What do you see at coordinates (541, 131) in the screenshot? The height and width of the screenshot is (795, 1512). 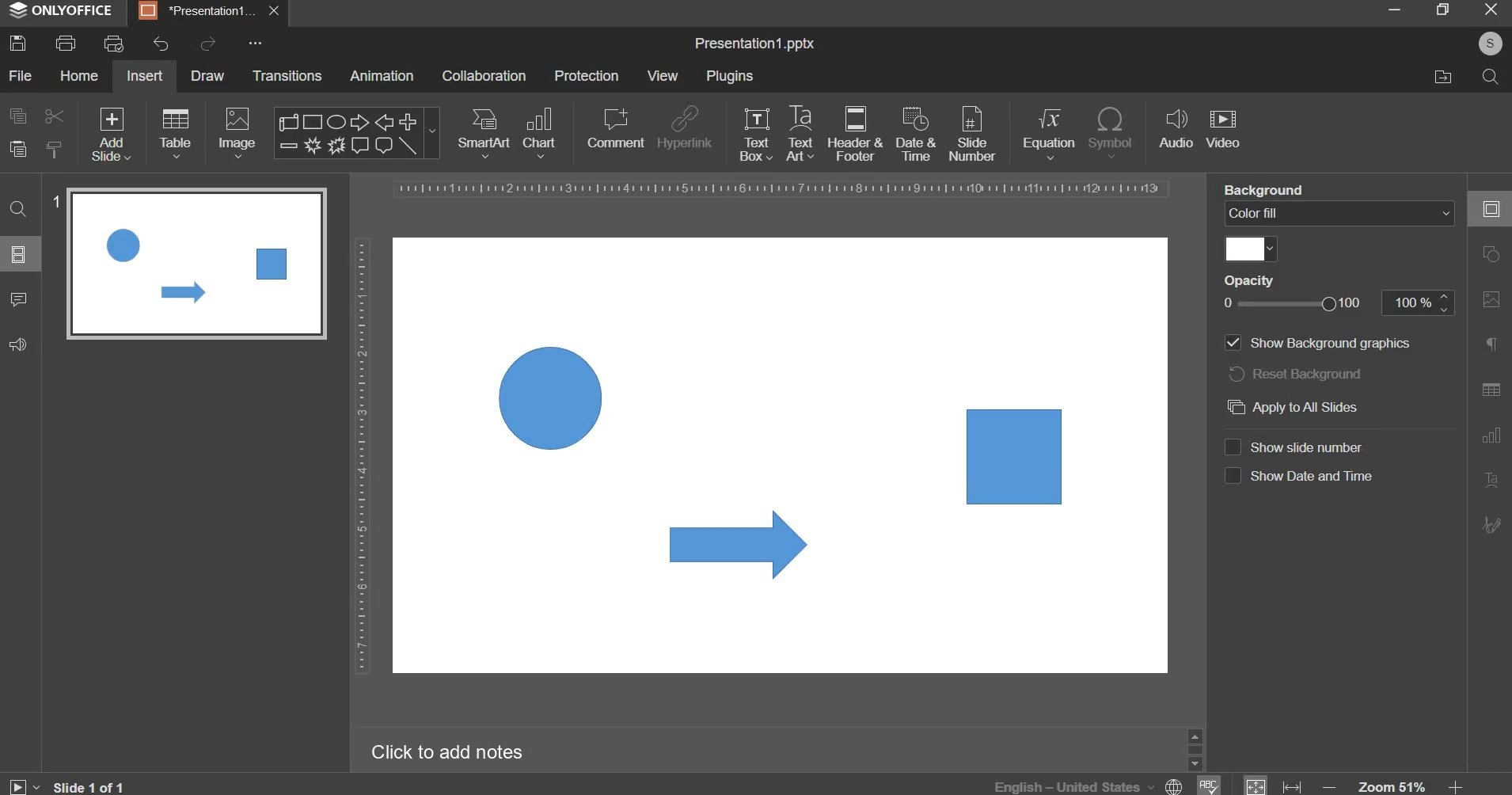 I see `chart` at bounding box center [541, 131].